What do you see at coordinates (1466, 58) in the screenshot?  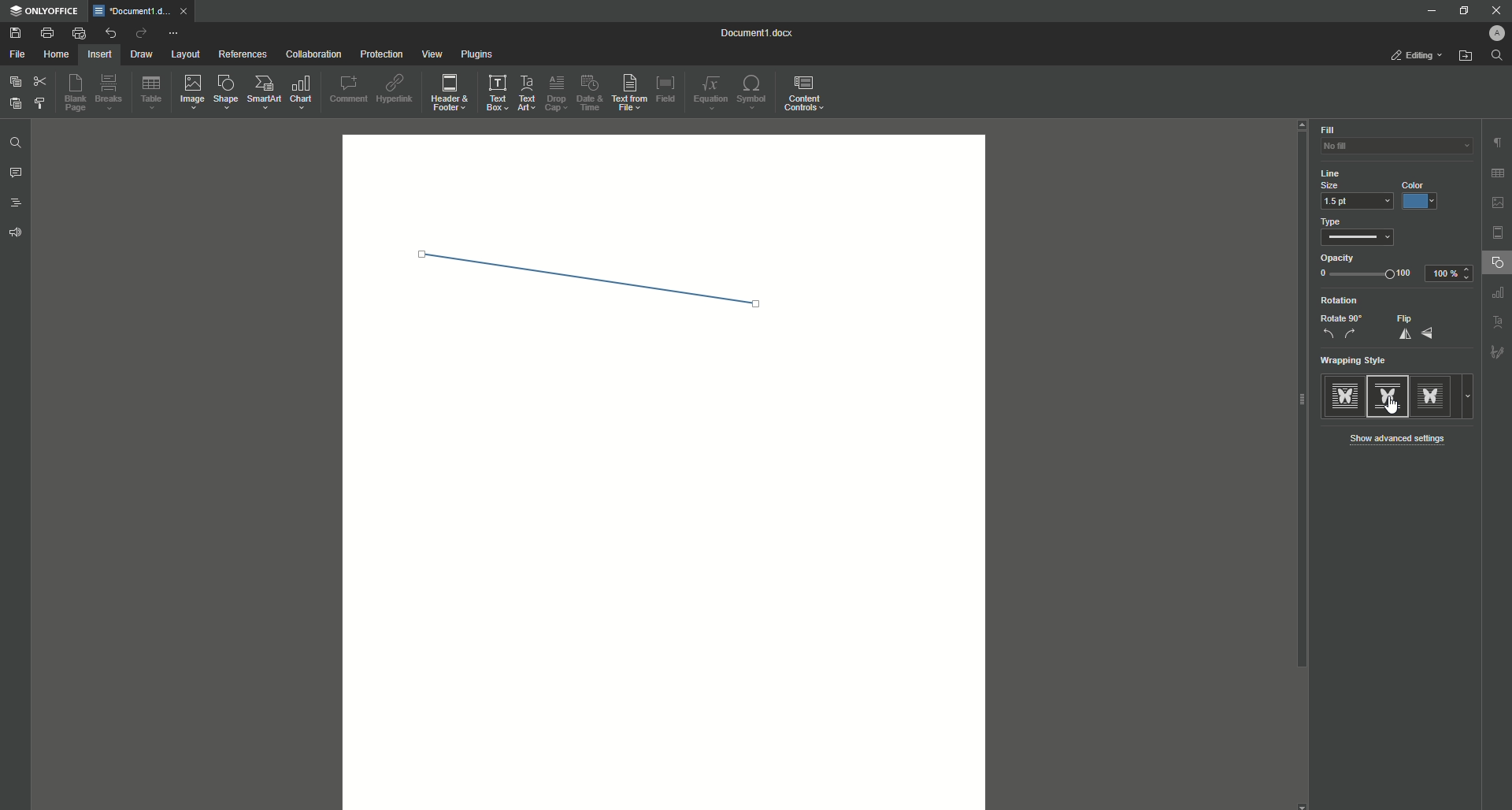 I see `Open From File` at bounding box center [1466, 58].